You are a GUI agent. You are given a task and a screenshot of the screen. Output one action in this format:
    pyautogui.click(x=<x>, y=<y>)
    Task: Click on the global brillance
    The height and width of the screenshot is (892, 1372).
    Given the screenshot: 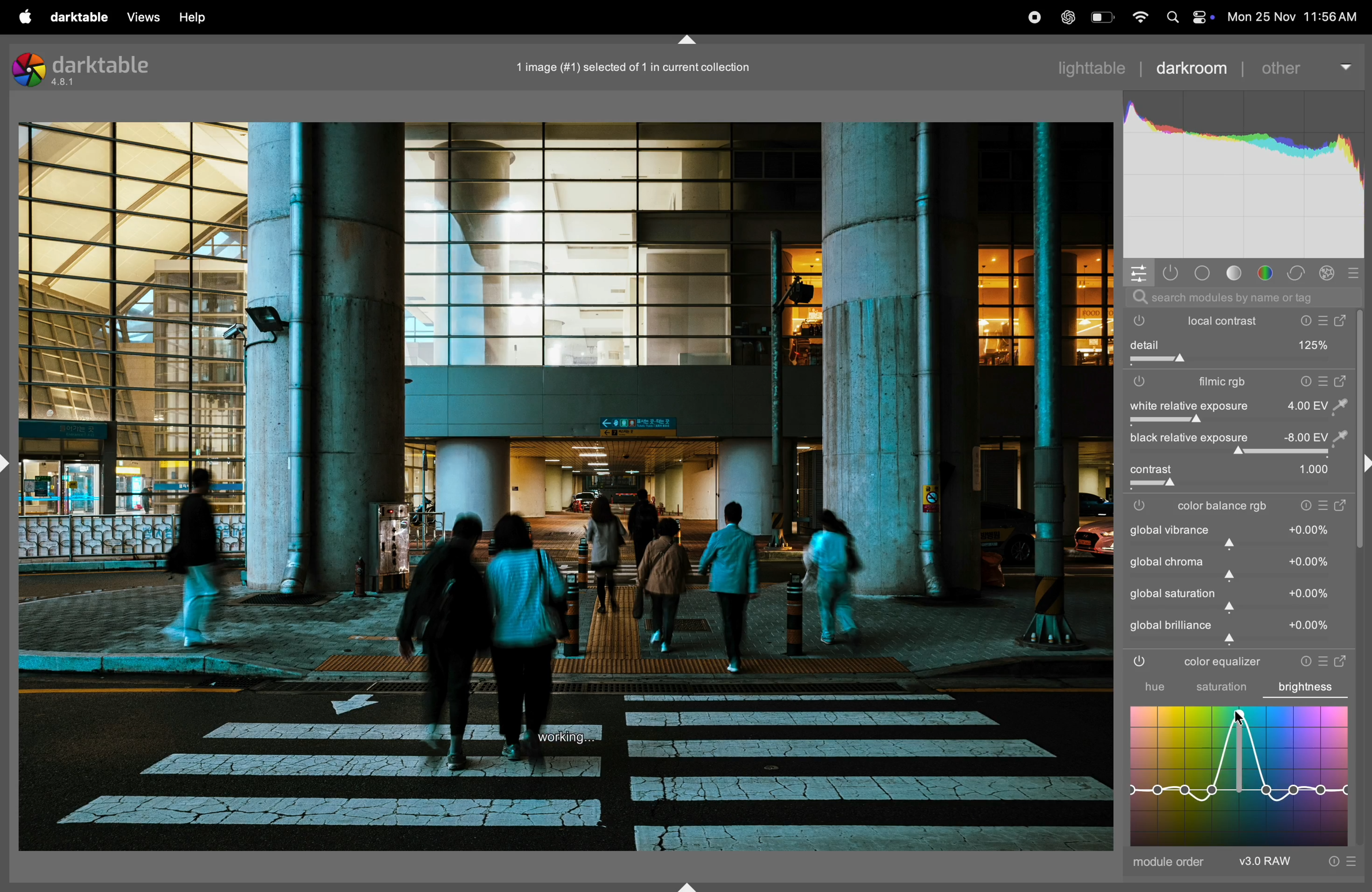 What is the action you would take?
    pyautogui.click(x=1171, y=625)
    